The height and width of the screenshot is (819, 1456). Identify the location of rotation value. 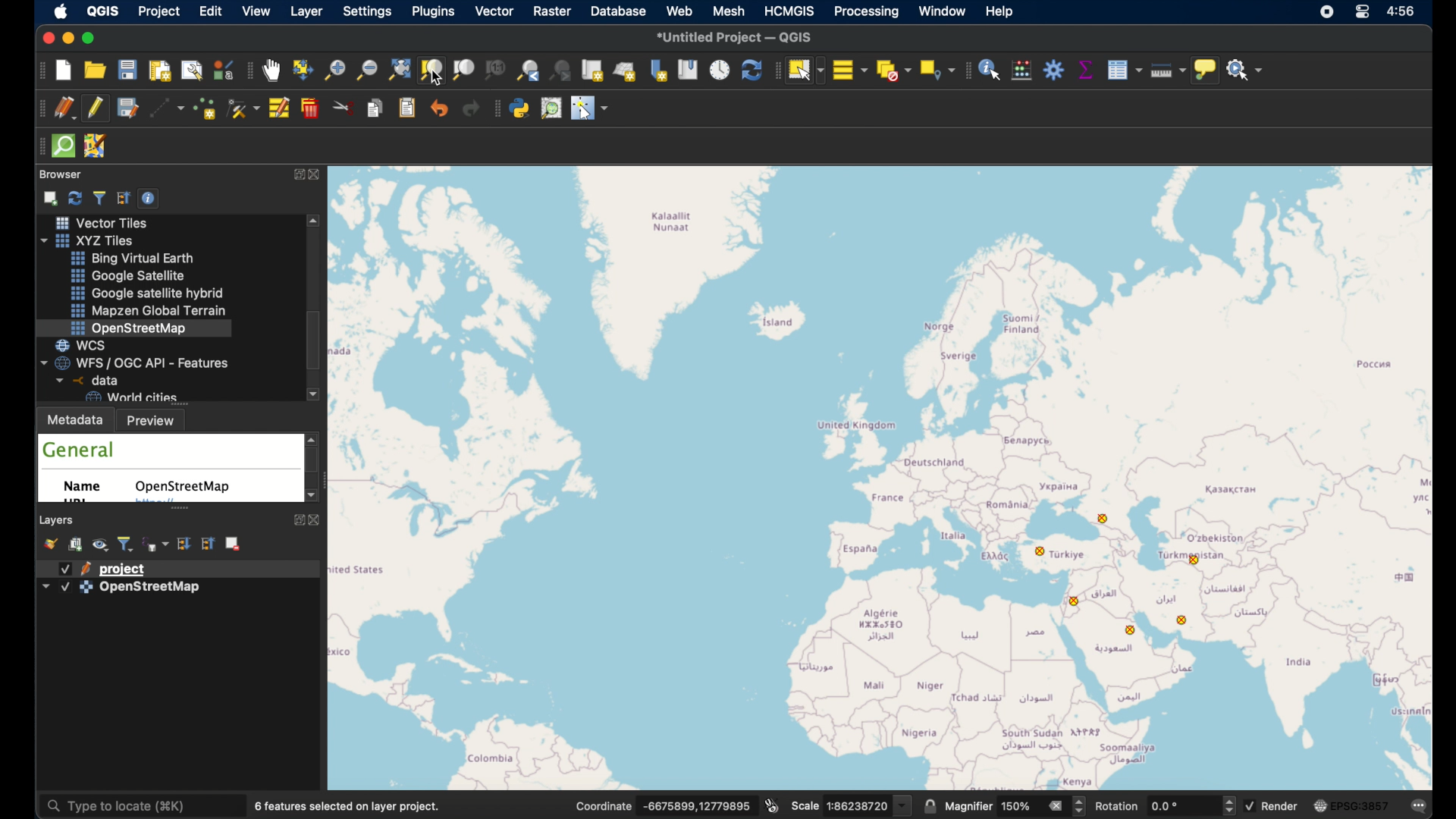
(1168, 805).